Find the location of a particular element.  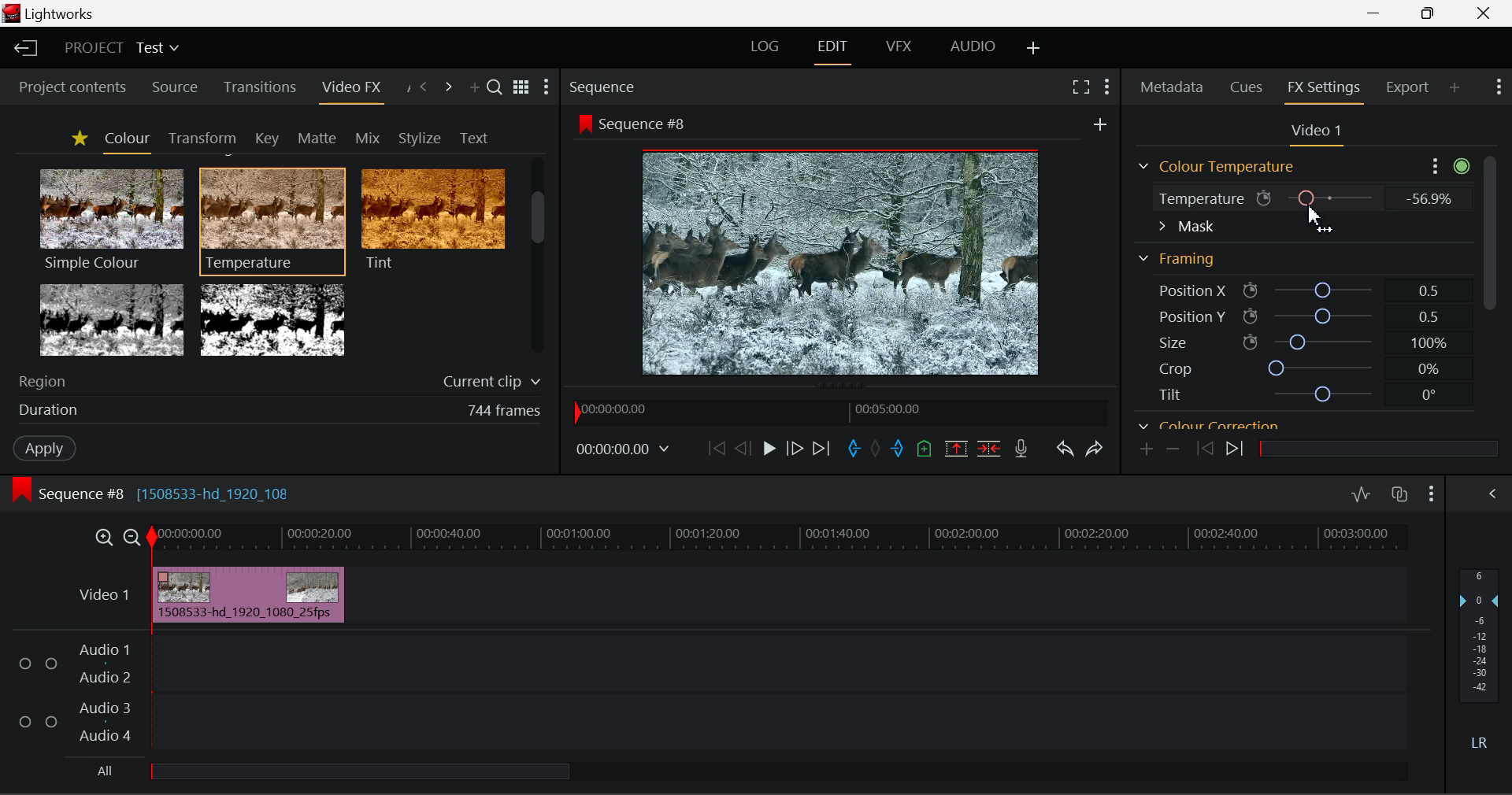

Favorites is located at coordinates (77, 139).